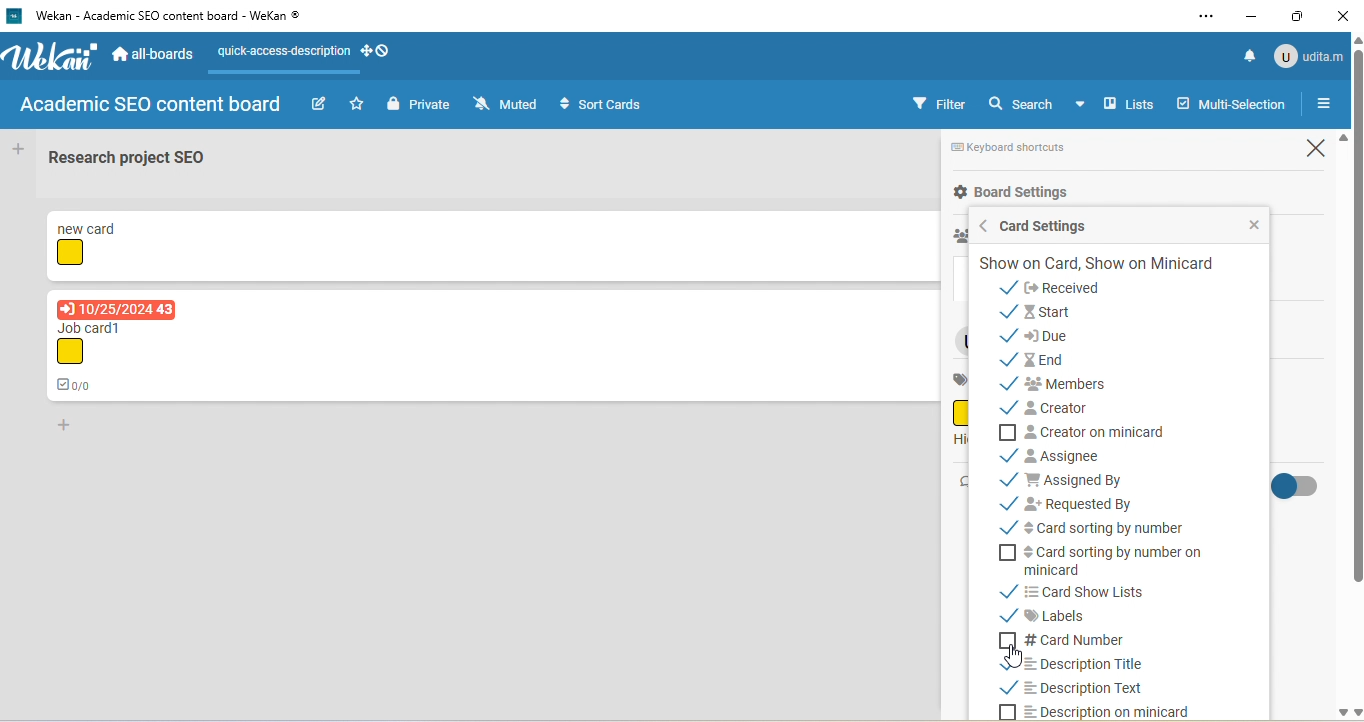  Describe the element at coordinates (1063, 410) in the screenshot. I see `creator` at that location.